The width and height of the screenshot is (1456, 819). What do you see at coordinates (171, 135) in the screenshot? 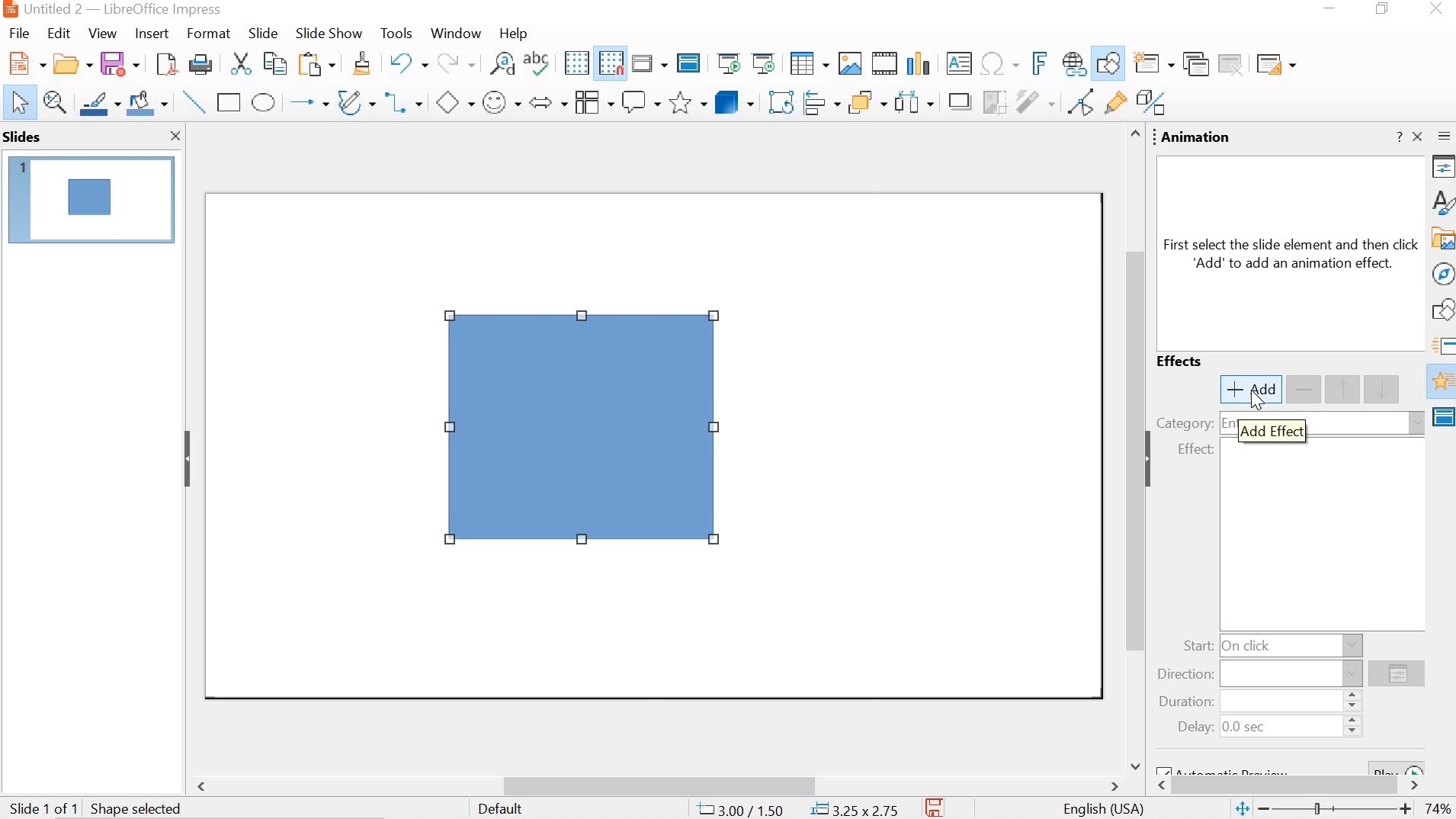
I see `close pane` at bounding box center [171, 135].